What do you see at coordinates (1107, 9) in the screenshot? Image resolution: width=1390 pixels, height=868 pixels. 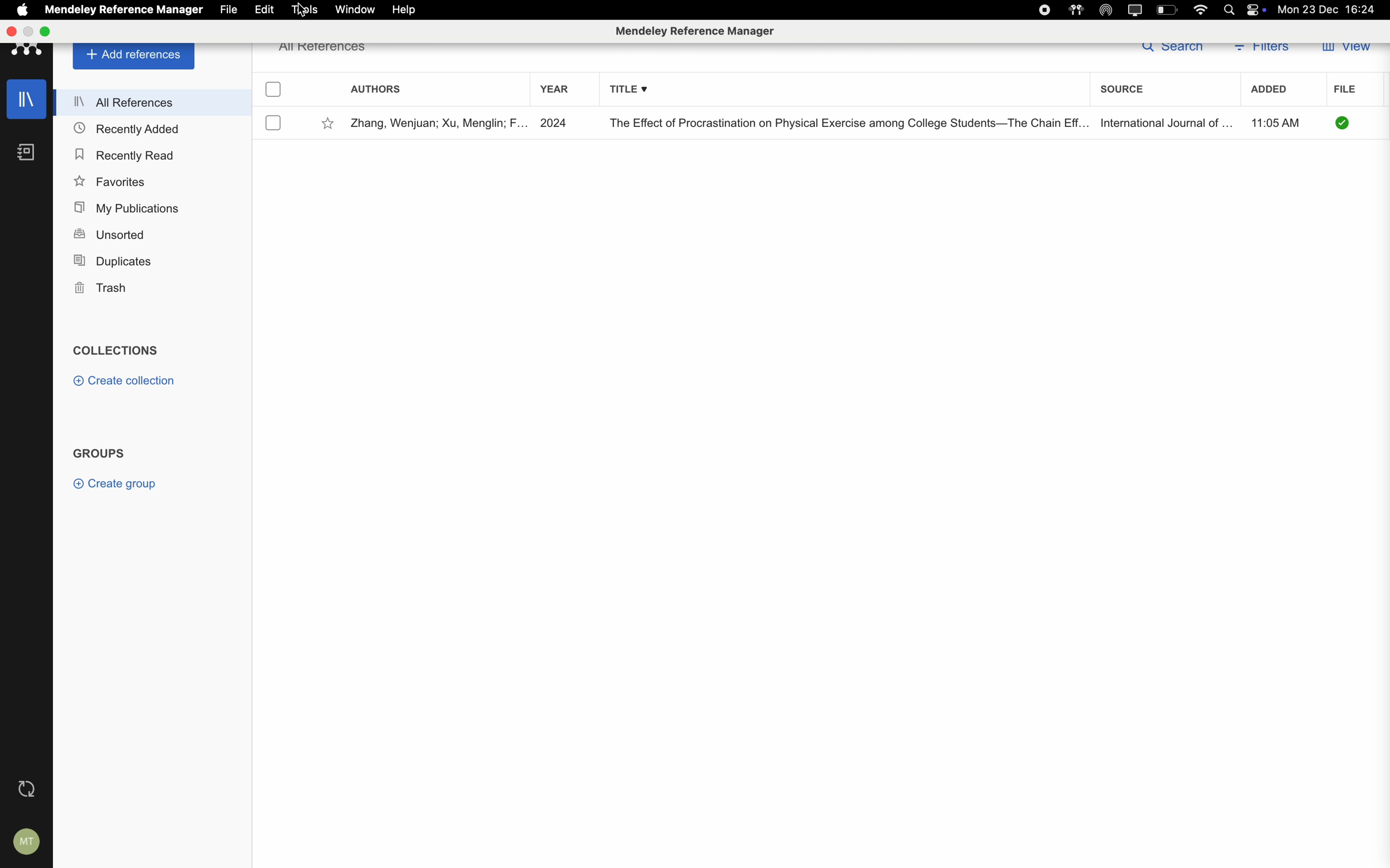 I see `Airdrop` at bounding box center [1107, 9].